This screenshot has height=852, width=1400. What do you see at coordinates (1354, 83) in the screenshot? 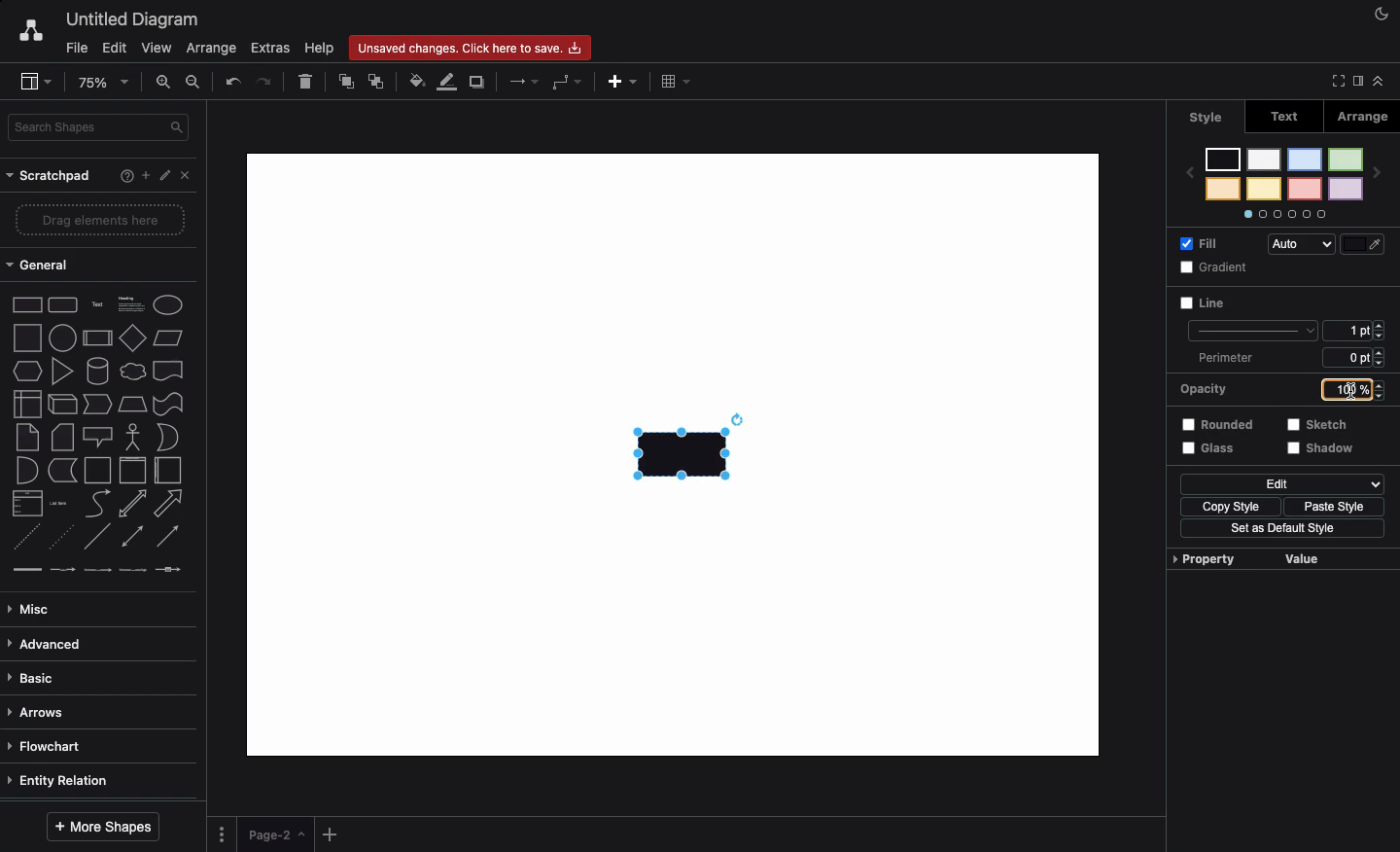
I see `Sidebar` at bounding box center [1354, 83].